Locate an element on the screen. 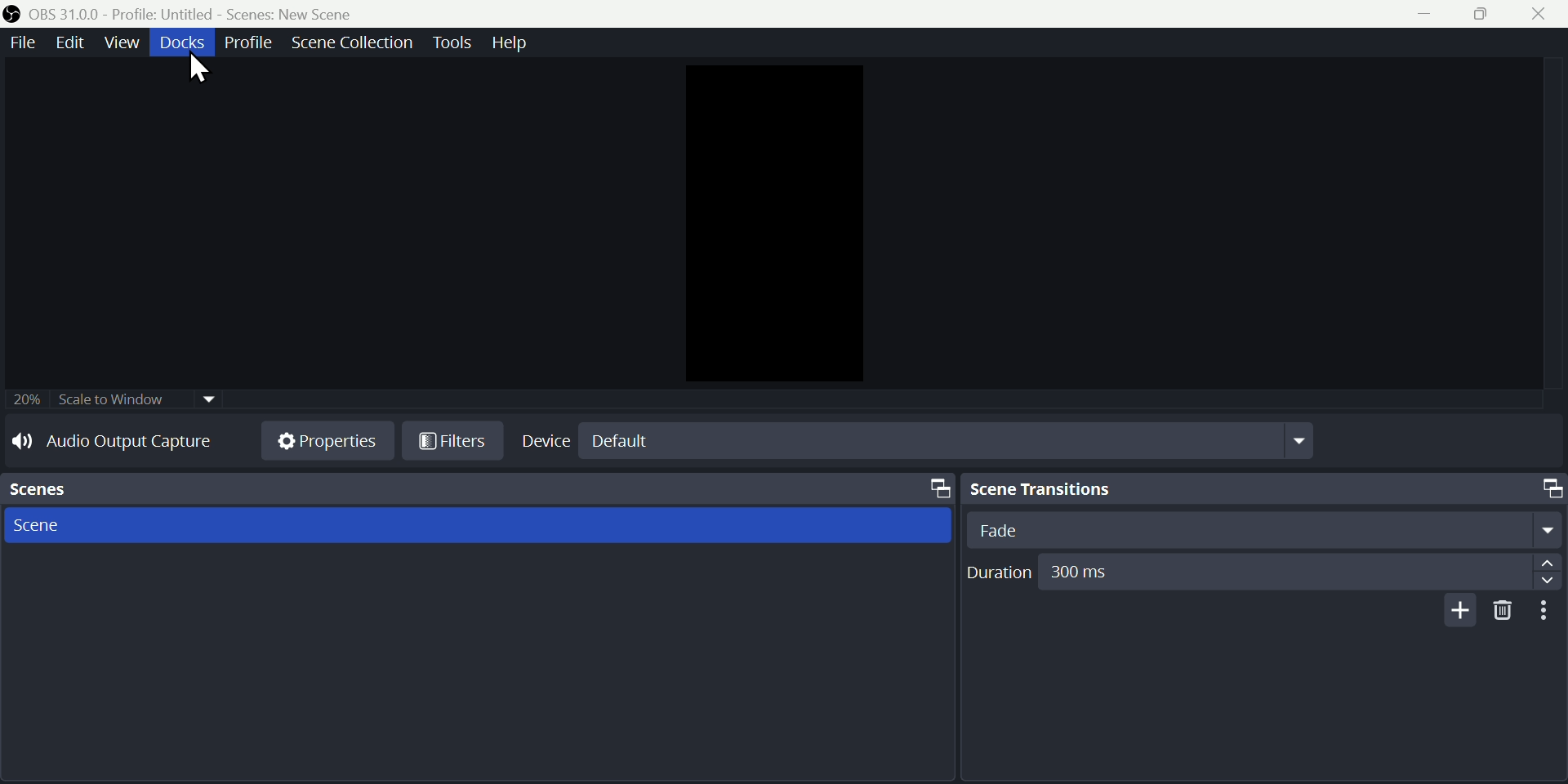 The height and width of the screenshot is (784, 1568). cursor is located at coordinates (201, 72).